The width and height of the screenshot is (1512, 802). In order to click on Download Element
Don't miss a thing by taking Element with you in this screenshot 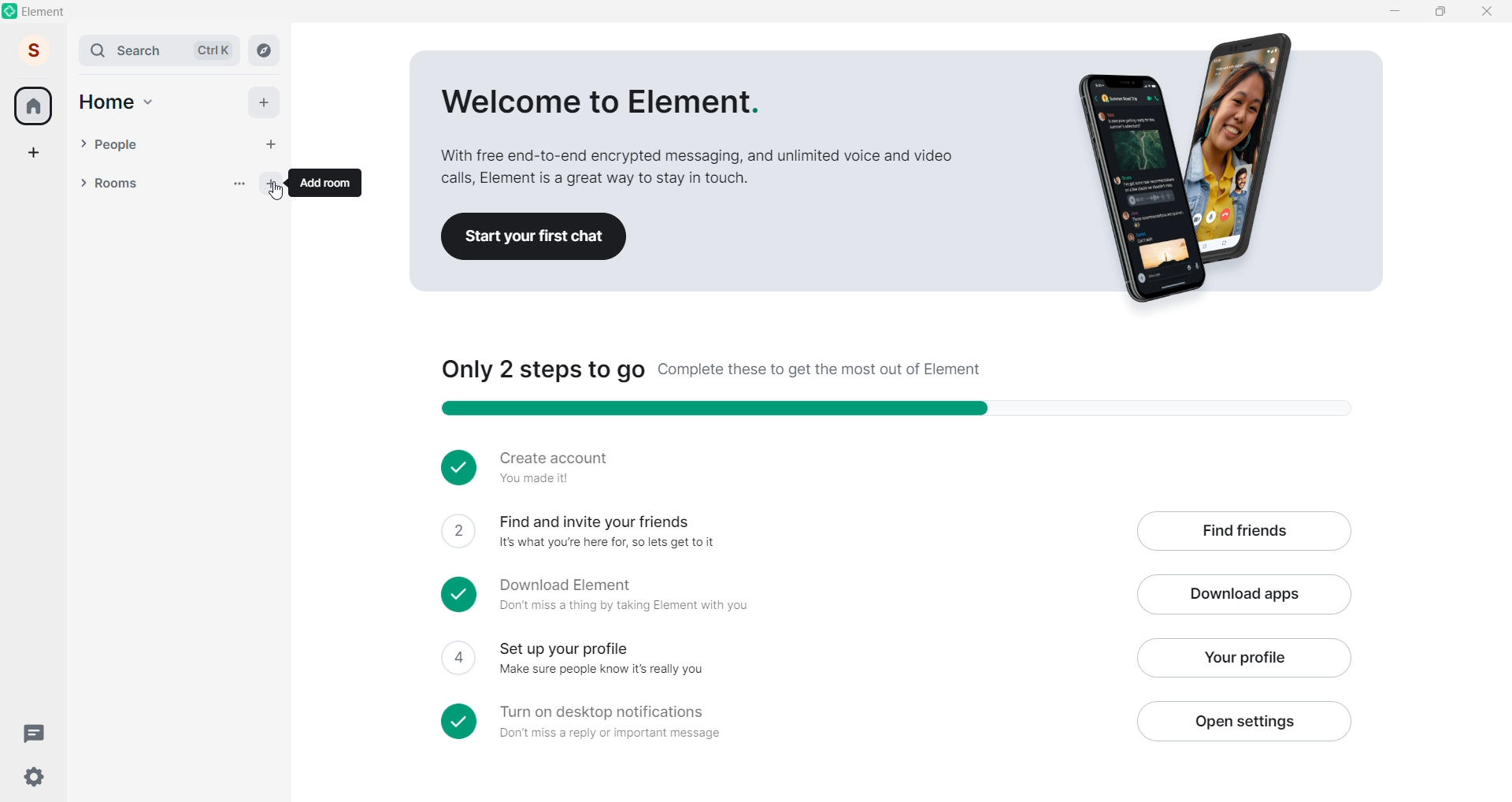, I will do `click(780, 596)`.